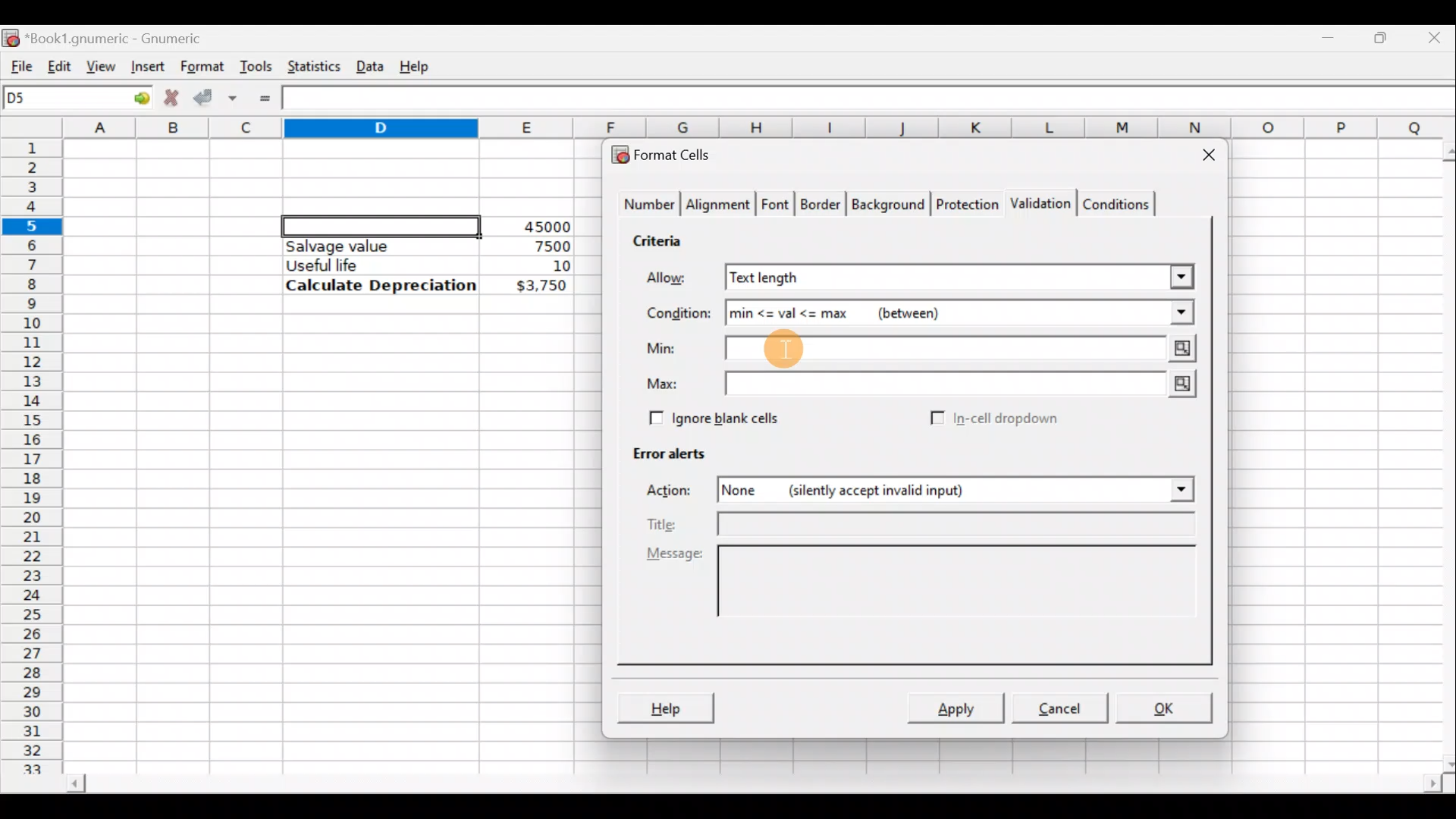 The width and height of the screenshot is (1456, 819). Describe the element at coordinates (965, 384) in the screenshot. I see `Max value` at that location.